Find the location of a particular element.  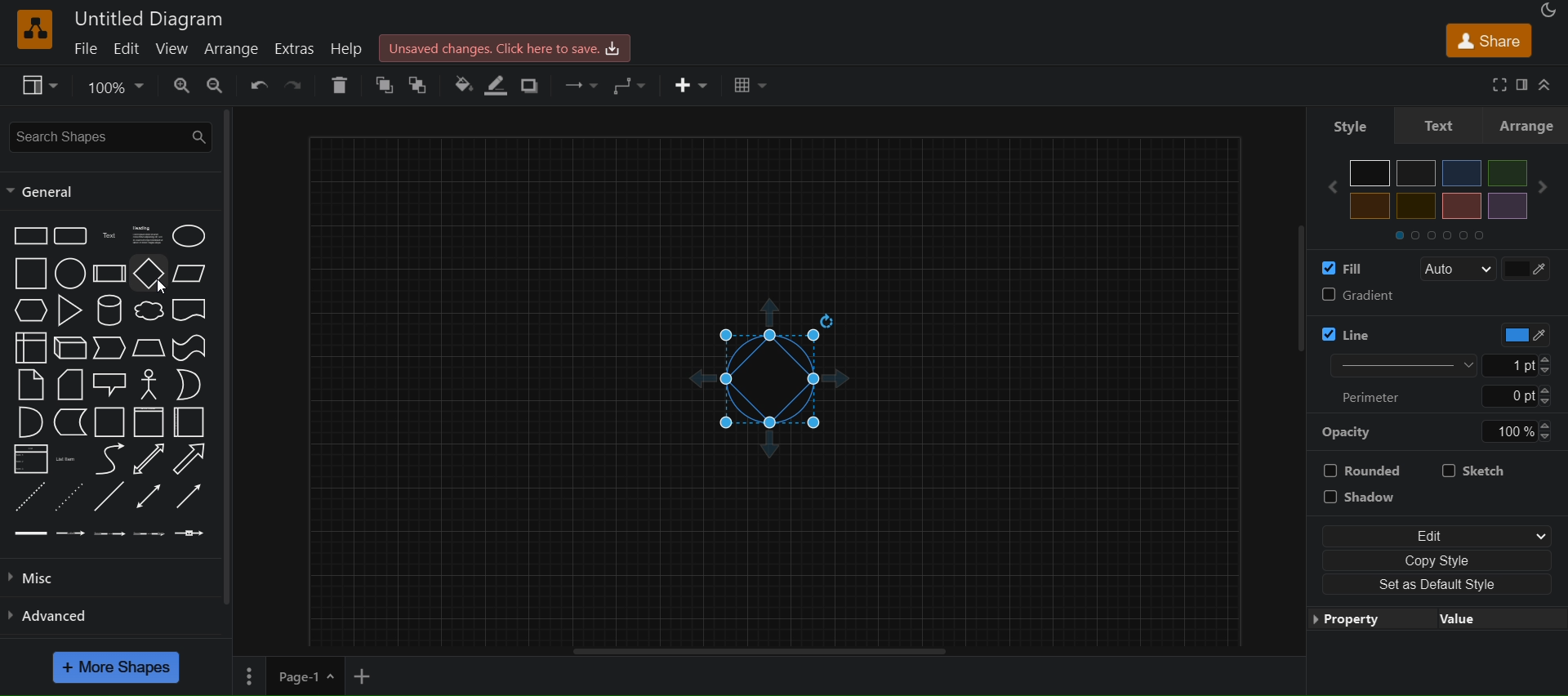

rounded rectangle is located at coordinates (69, 236).